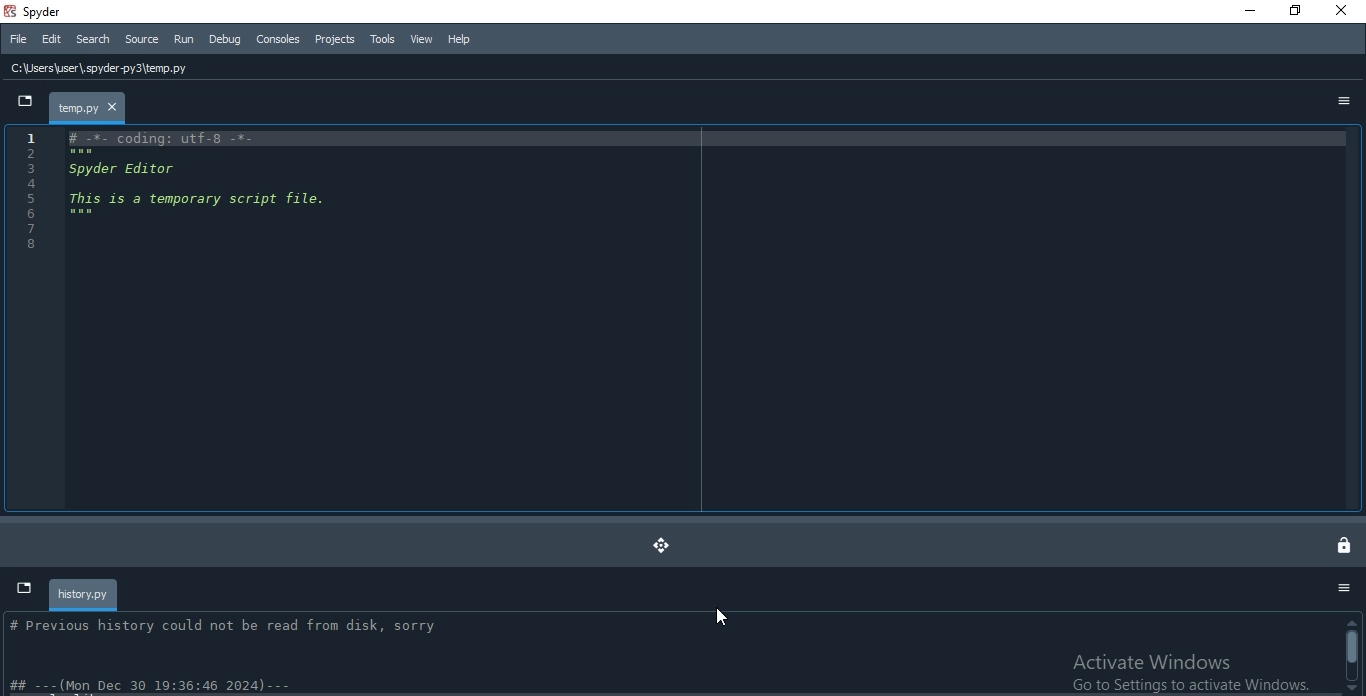 Image resolution: width=1366 pixels, height=696 pixels. I want to click on Scrollbar, so click(1353, 650).